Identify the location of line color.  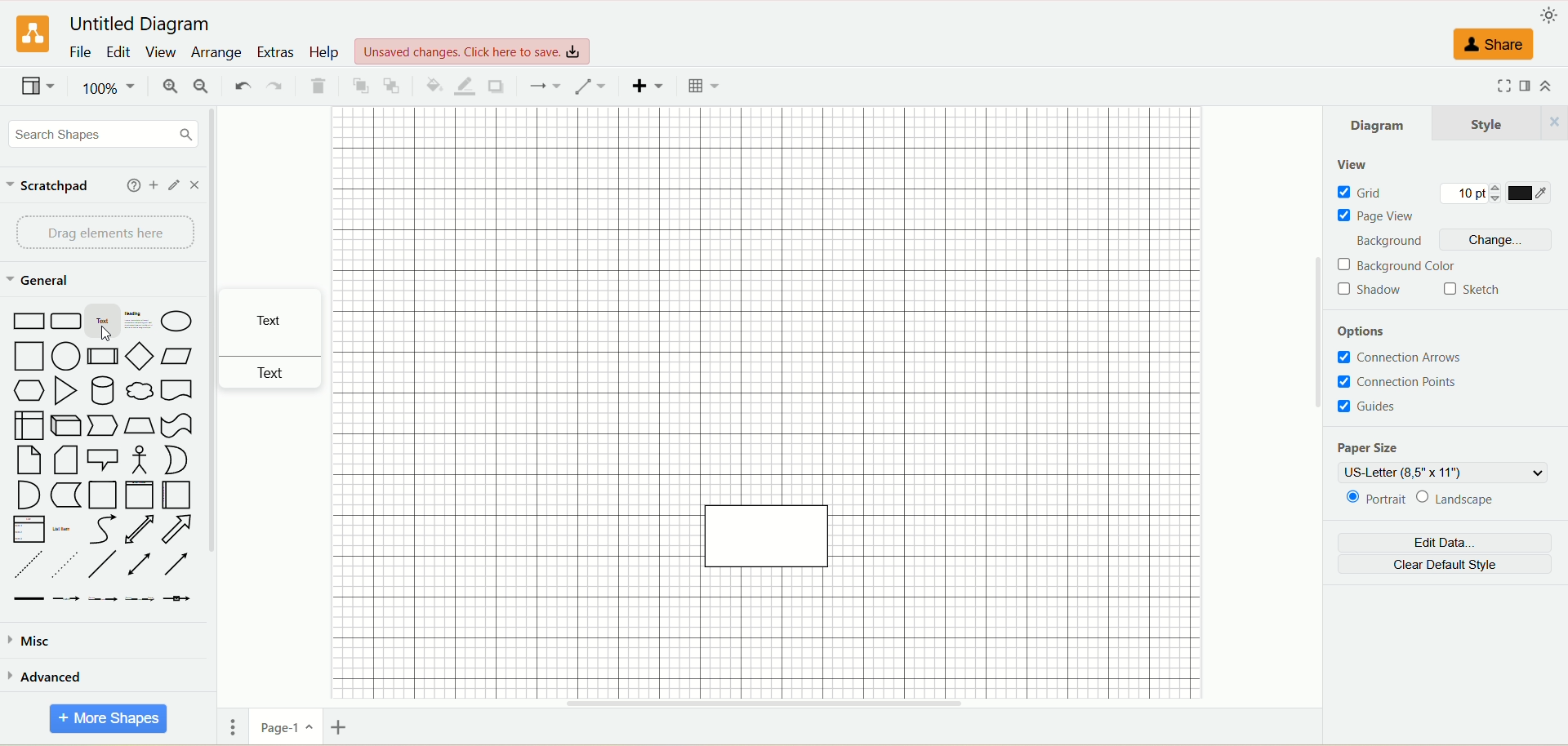
(467, 86).